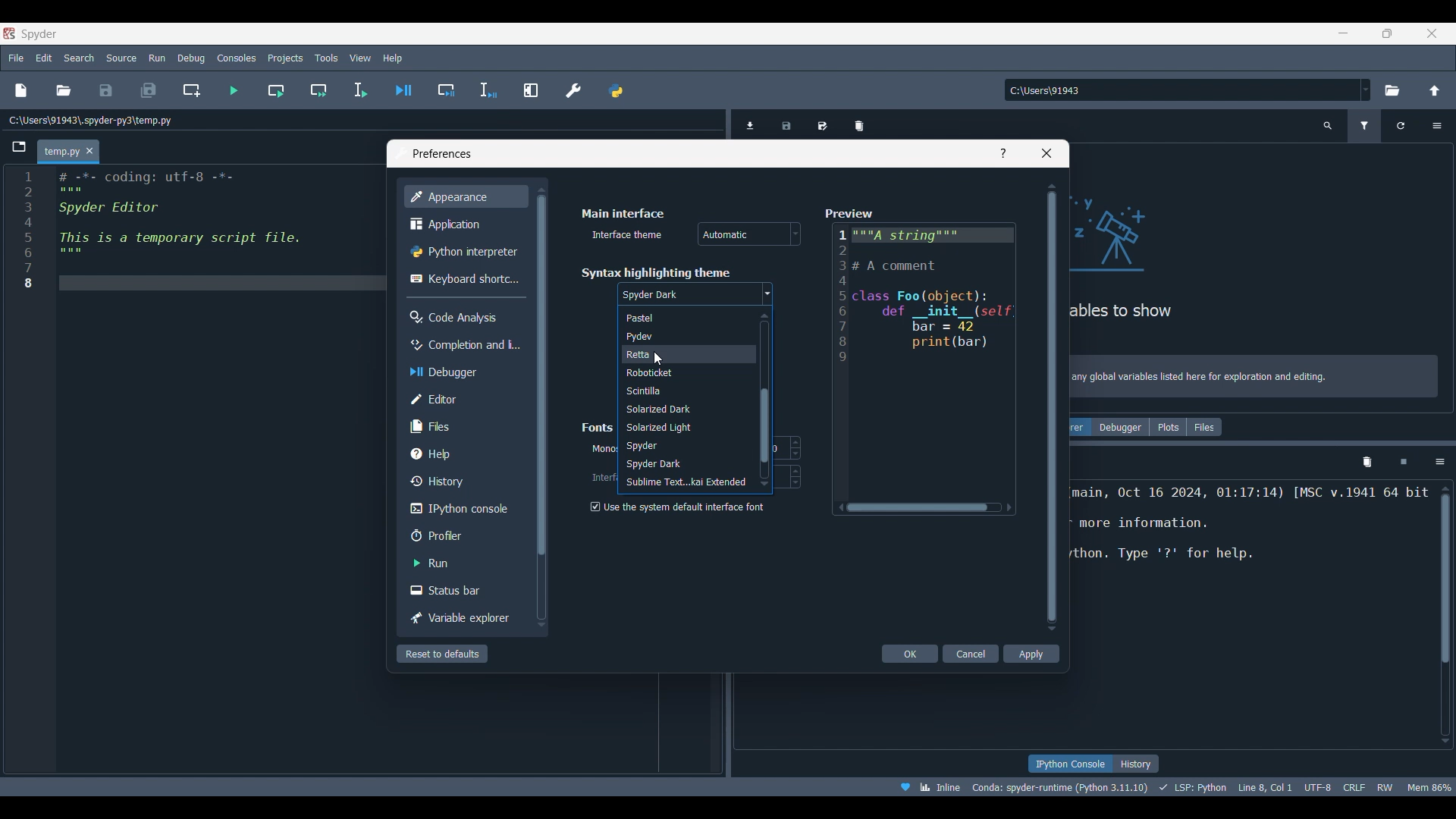 This screenshot has width=1456, height=819. Describe the element at coordinates (237, 57) in the screenshot. I see `Consoles menu` at that location.